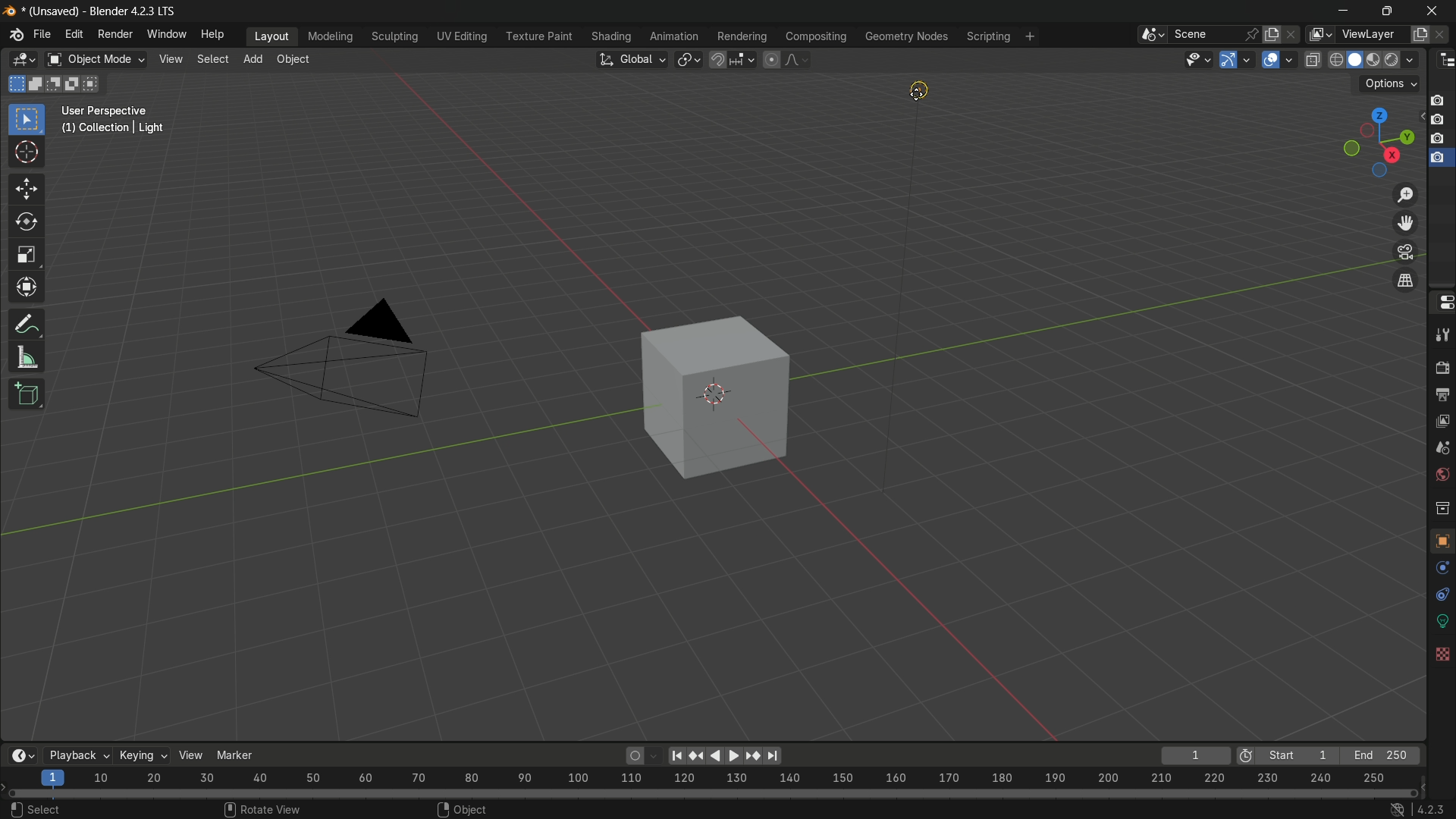  What do you see at coordinates (1441, 736) in the screenshot?
I see `texture` at bounding box center [1441, 736].